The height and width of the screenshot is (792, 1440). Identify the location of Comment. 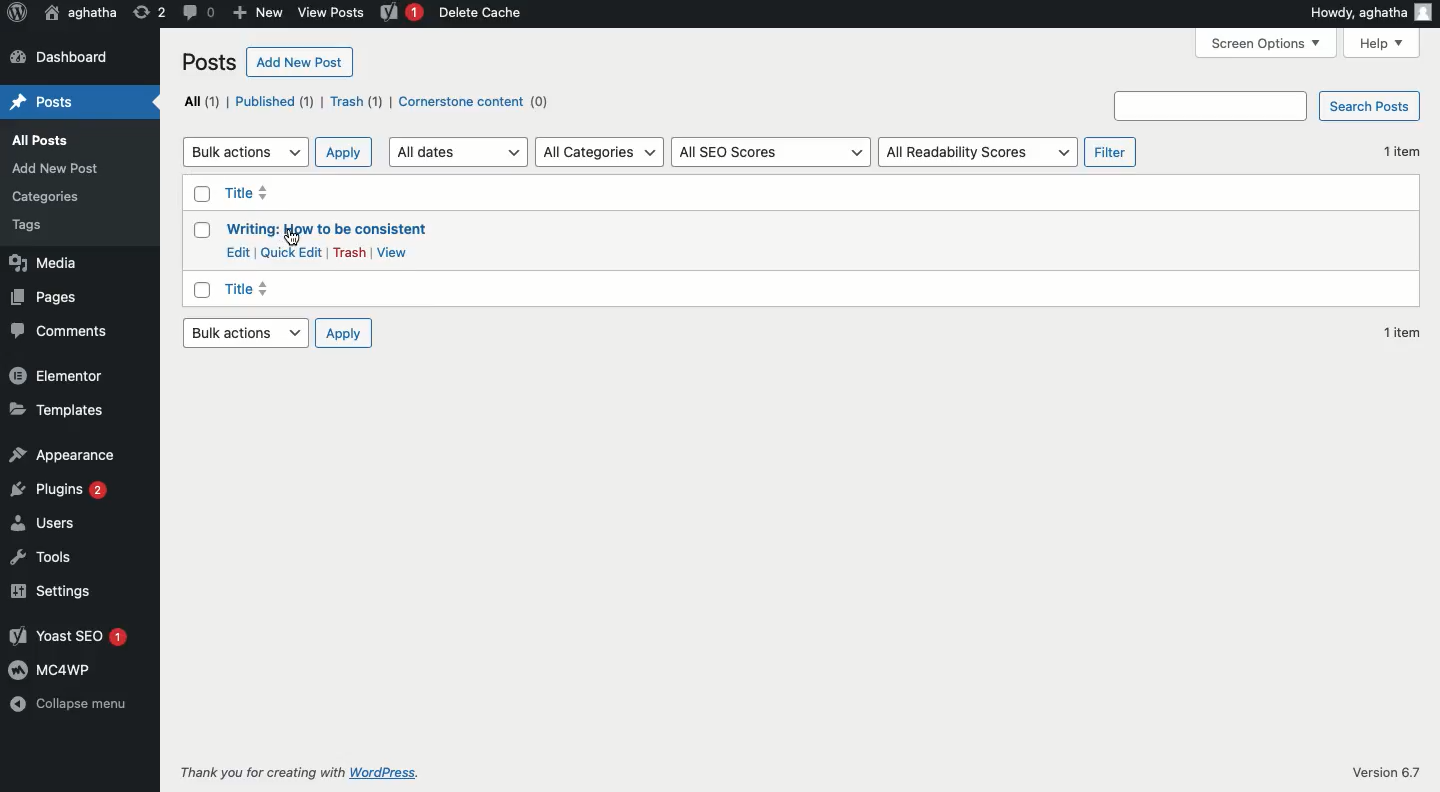
(197, 14).